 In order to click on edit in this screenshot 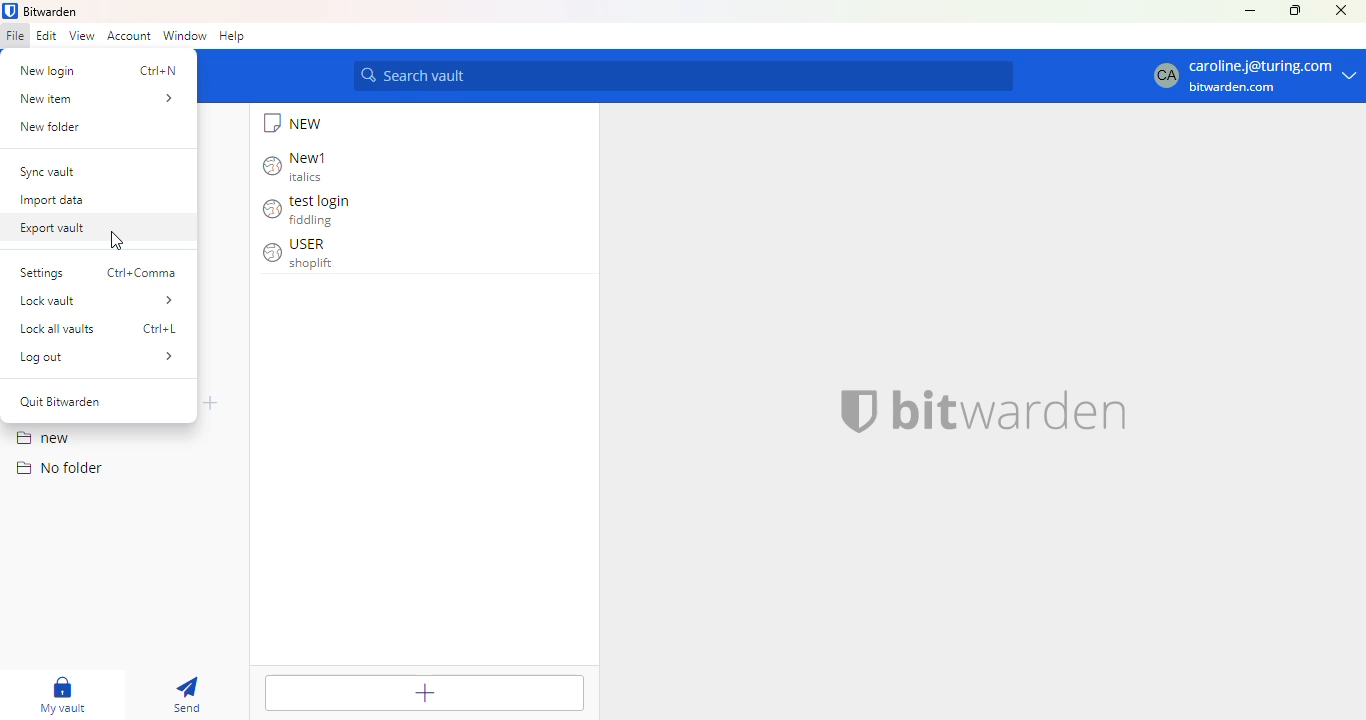, I will do `click(46, 36)`.